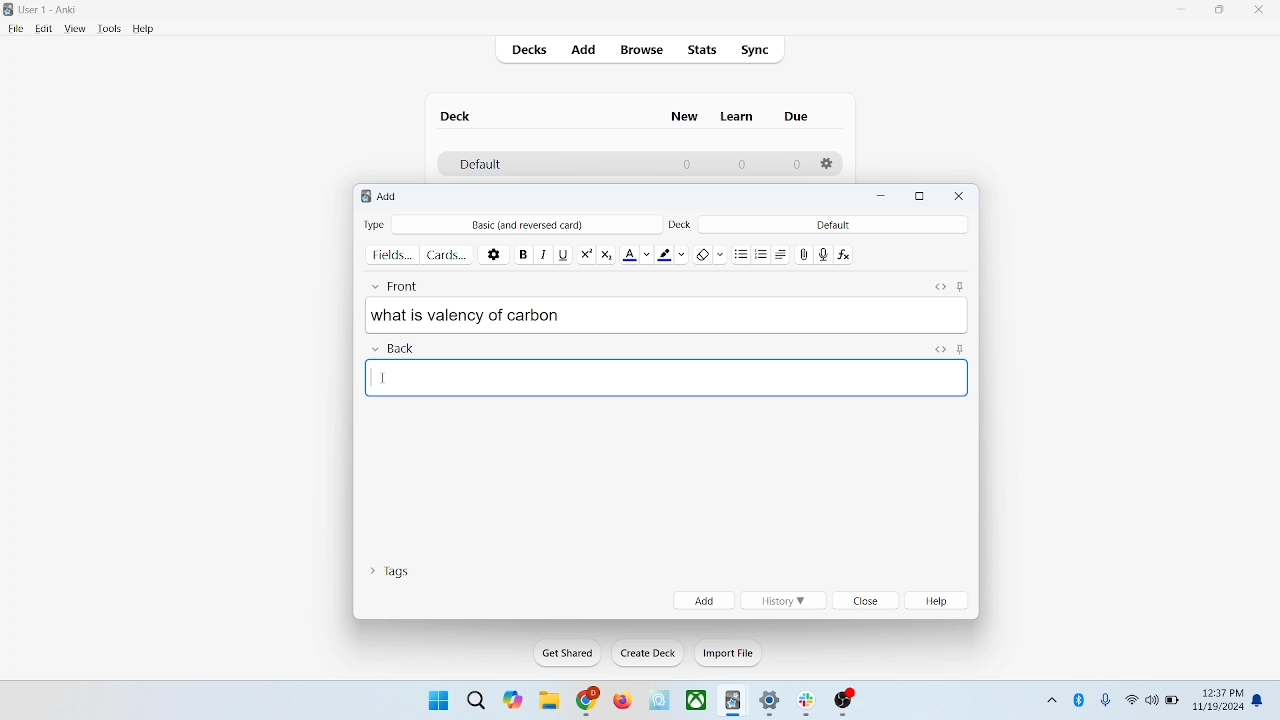 The height and width of the screenshot is (720, 1280). I want to click on HTML editor, so click(939, 284).